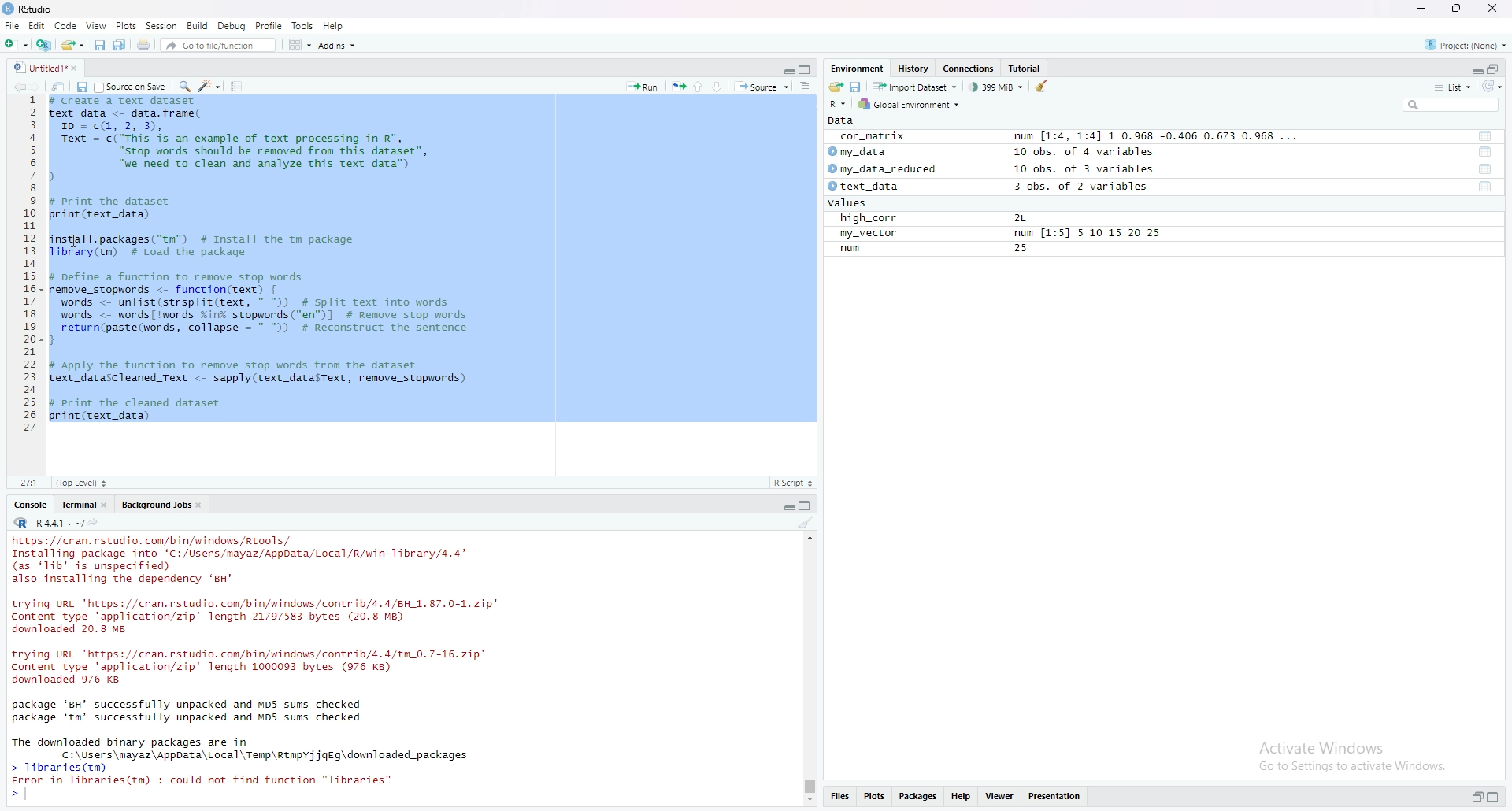 Image resolution: width=1512 pixels, height=811 pixels. I want to click on my_vector, so click(870, 234).